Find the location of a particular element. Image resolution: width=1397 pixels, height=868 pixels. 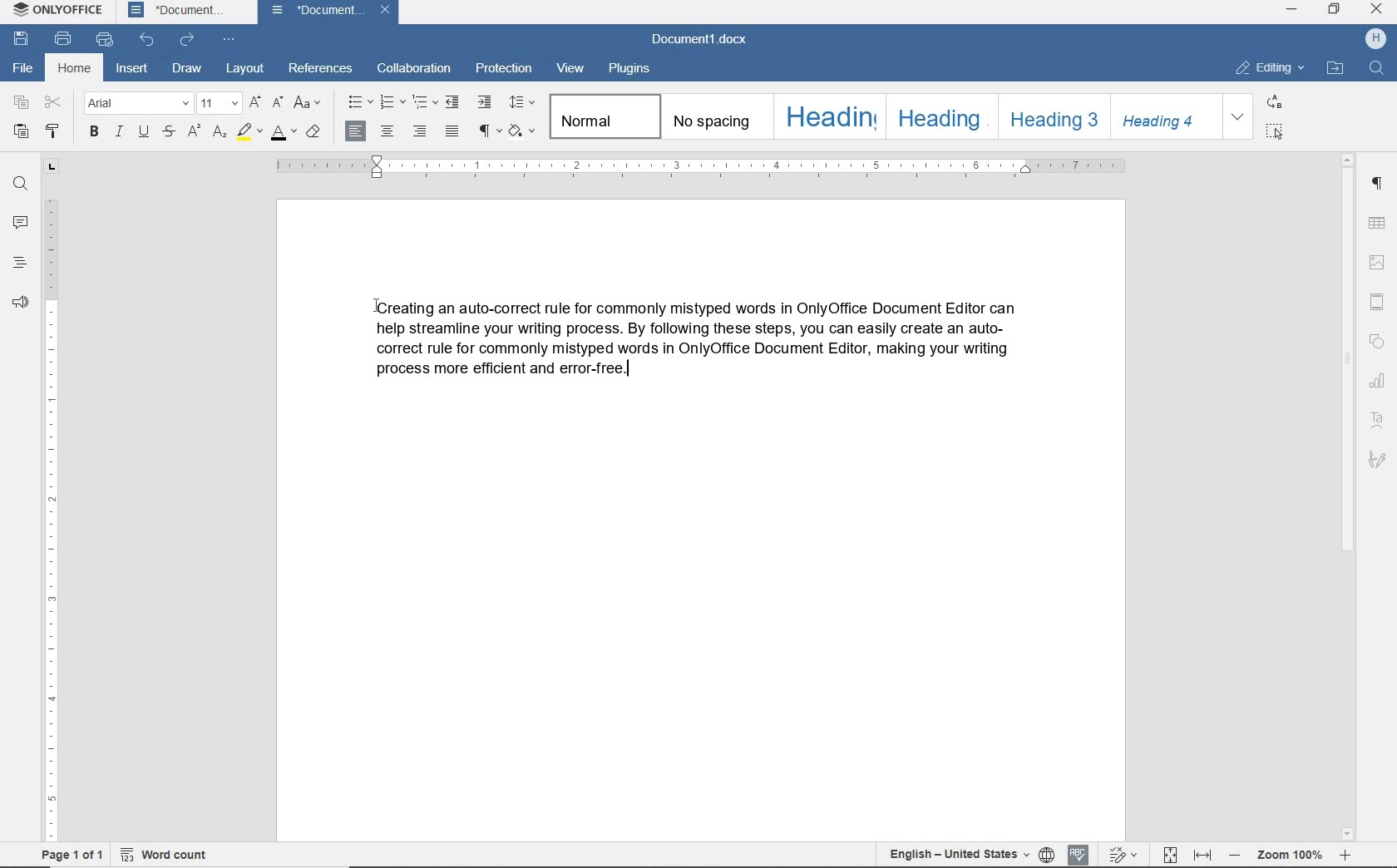

no spacing is located at coordinates (714, 117).